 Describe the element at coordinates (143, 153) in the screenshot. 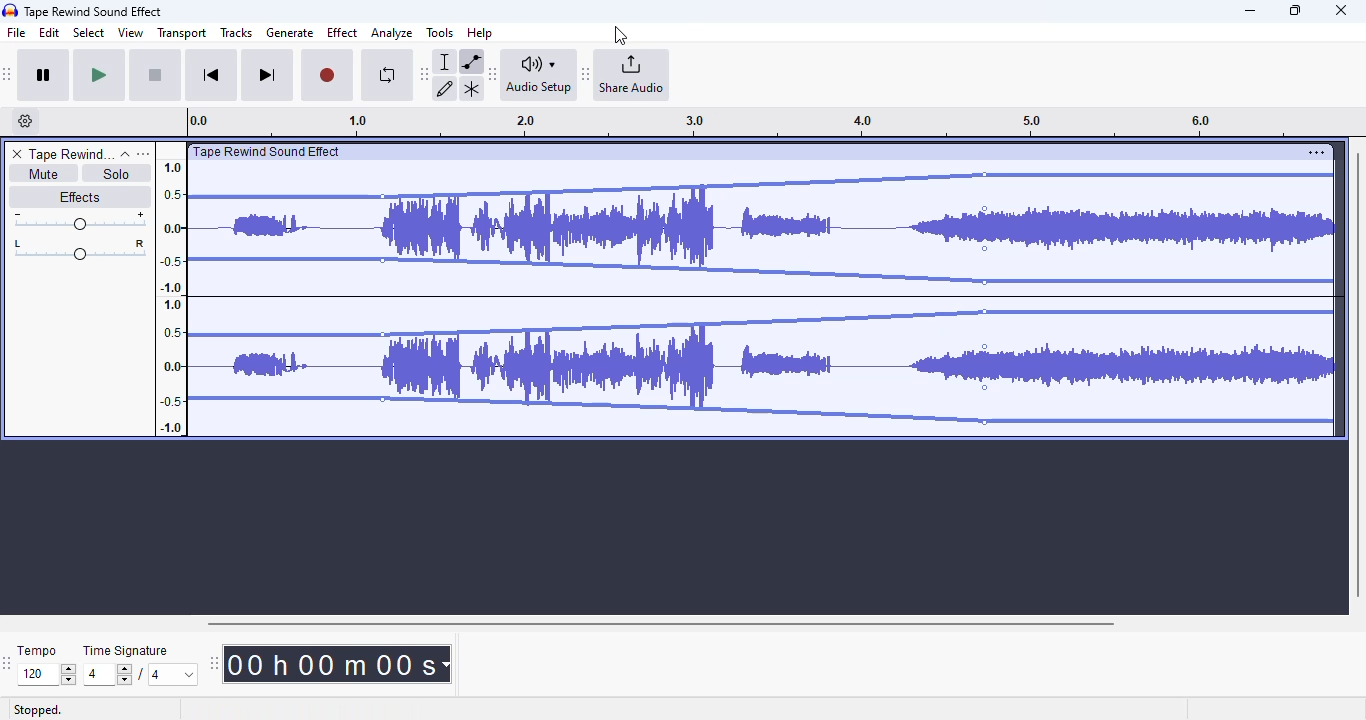

I see `open menu` at that location.